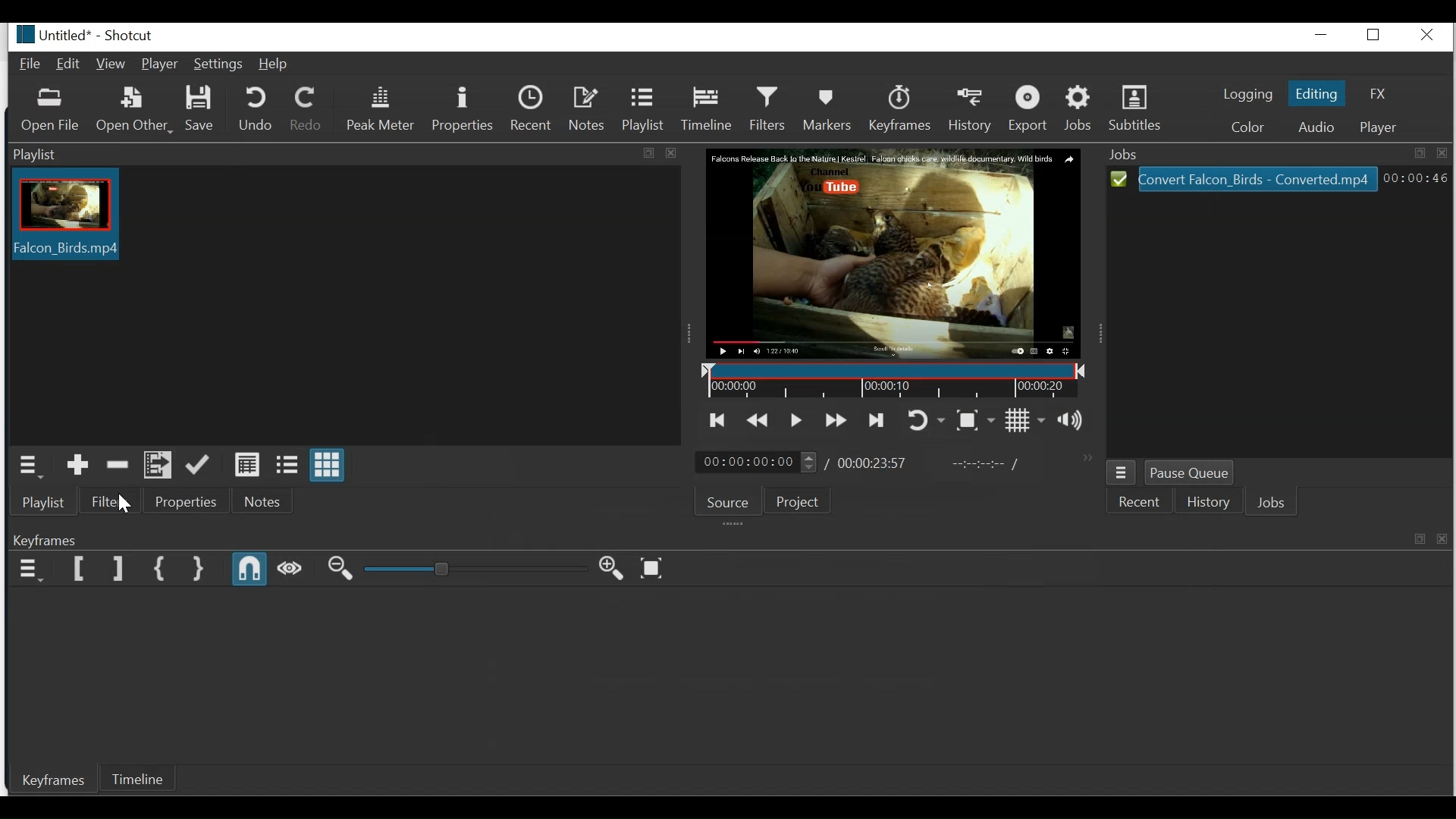 The image size is (1456, 819). Describe the element at coordinates (1031, 110) in the screenshot. I see `Export` at that location.